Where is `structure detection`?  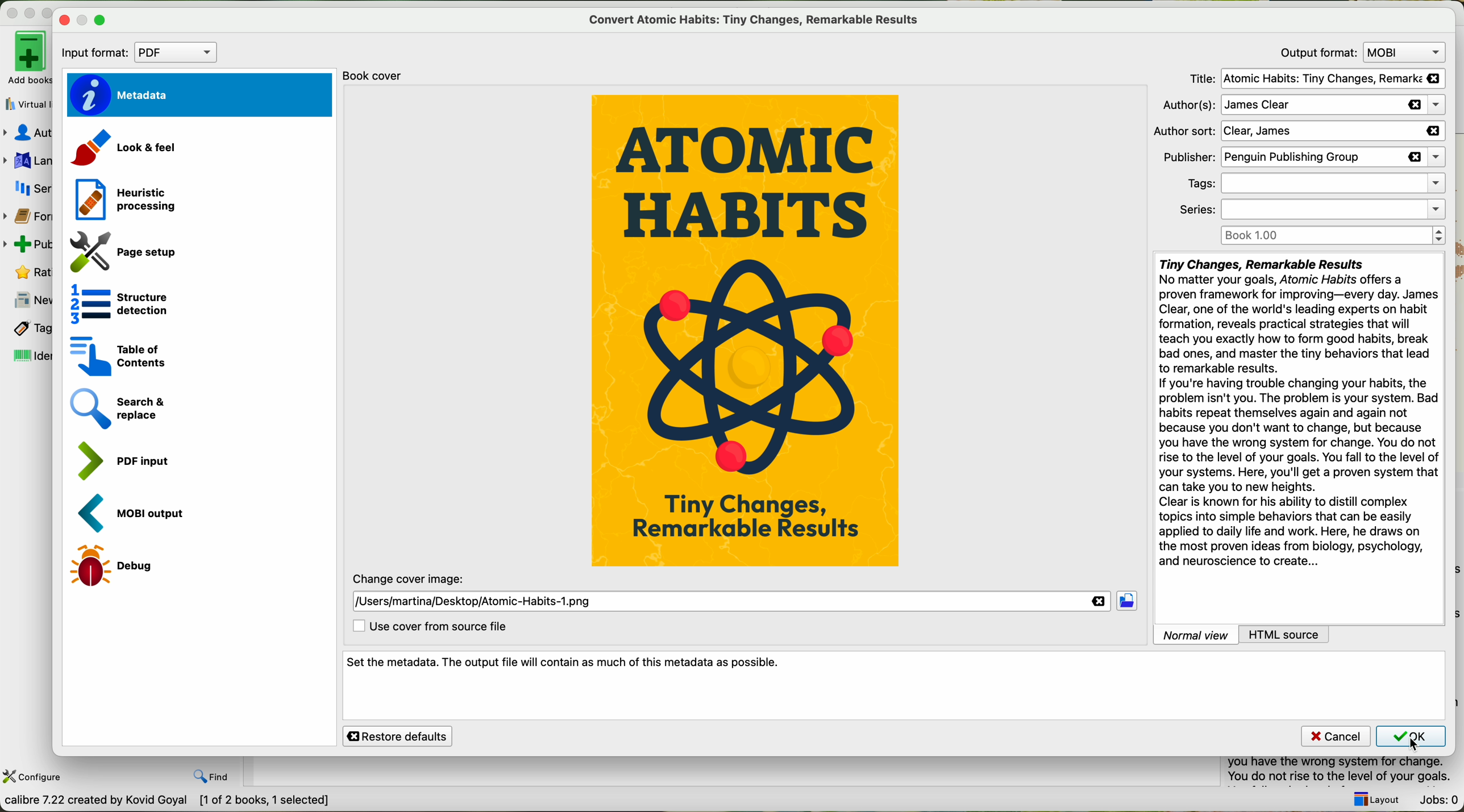
structure detection is located at coordinates (122, 303).